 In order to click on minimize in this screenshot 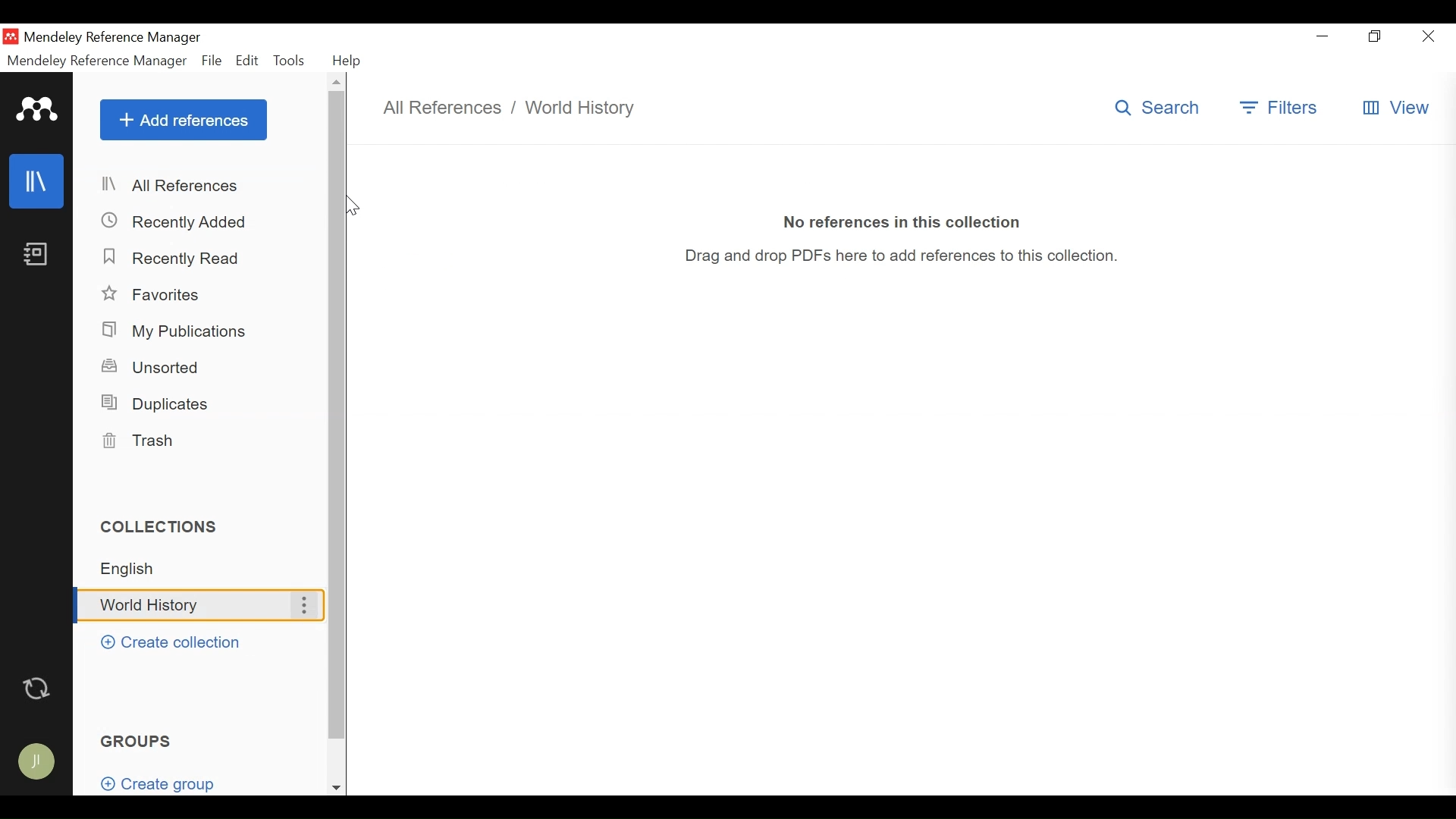, I will do `click(1326, 36)`.